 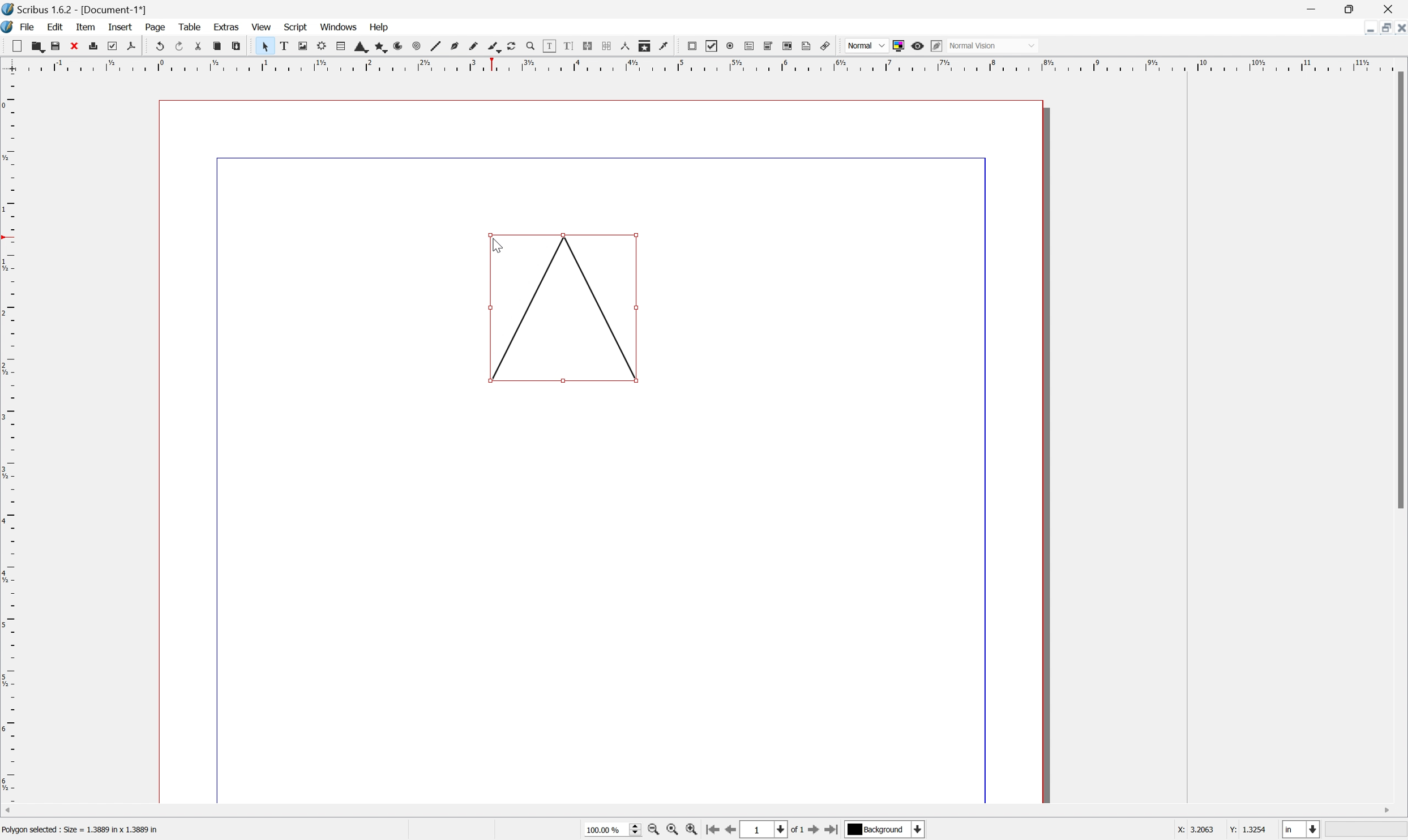 I want to click on Minimize, so click(x=1313, y=7).